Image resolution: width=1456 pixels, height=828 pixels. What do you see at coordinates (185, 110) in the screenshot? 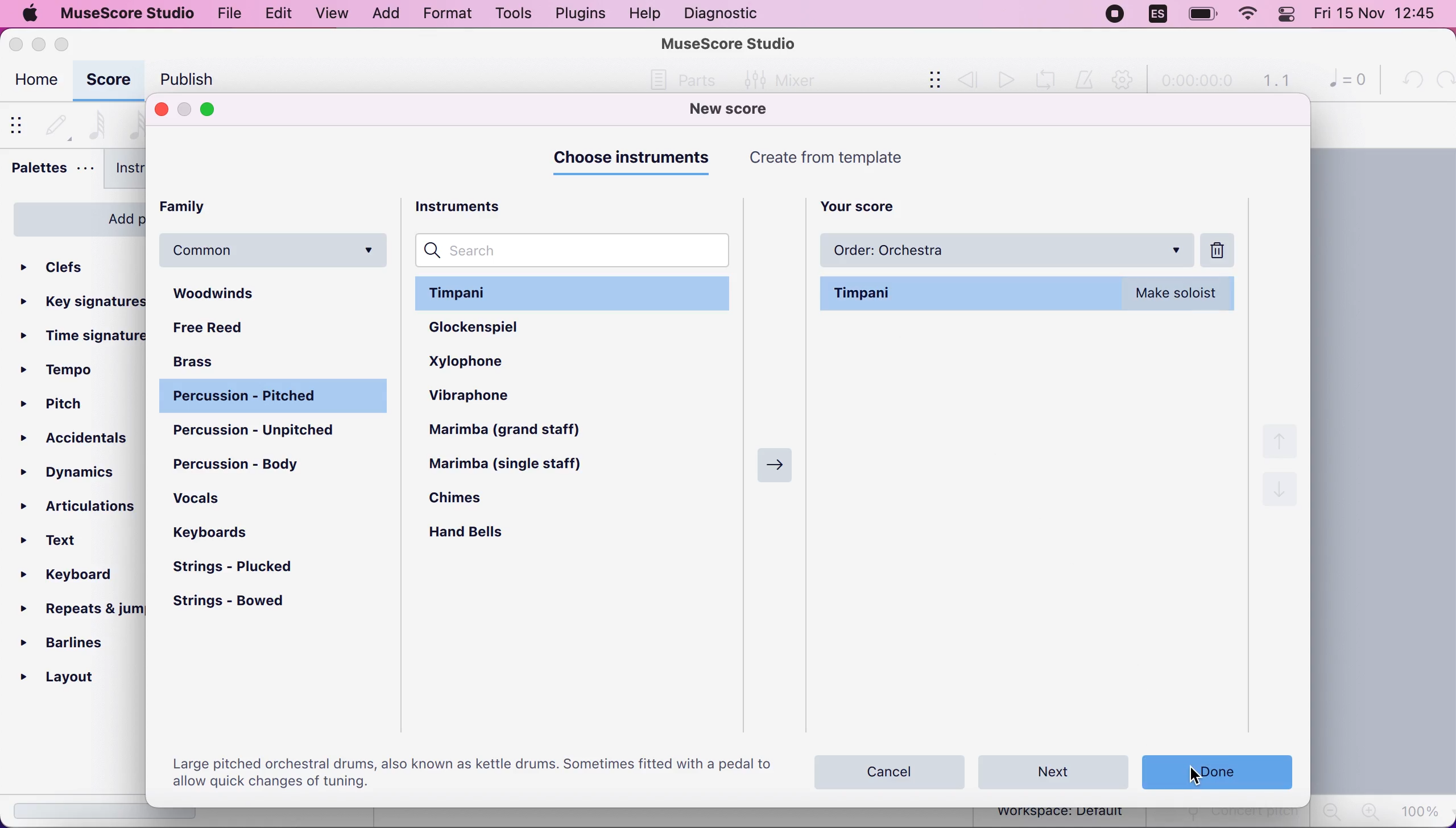
I see `minimize` at bounding box center [185, 110].